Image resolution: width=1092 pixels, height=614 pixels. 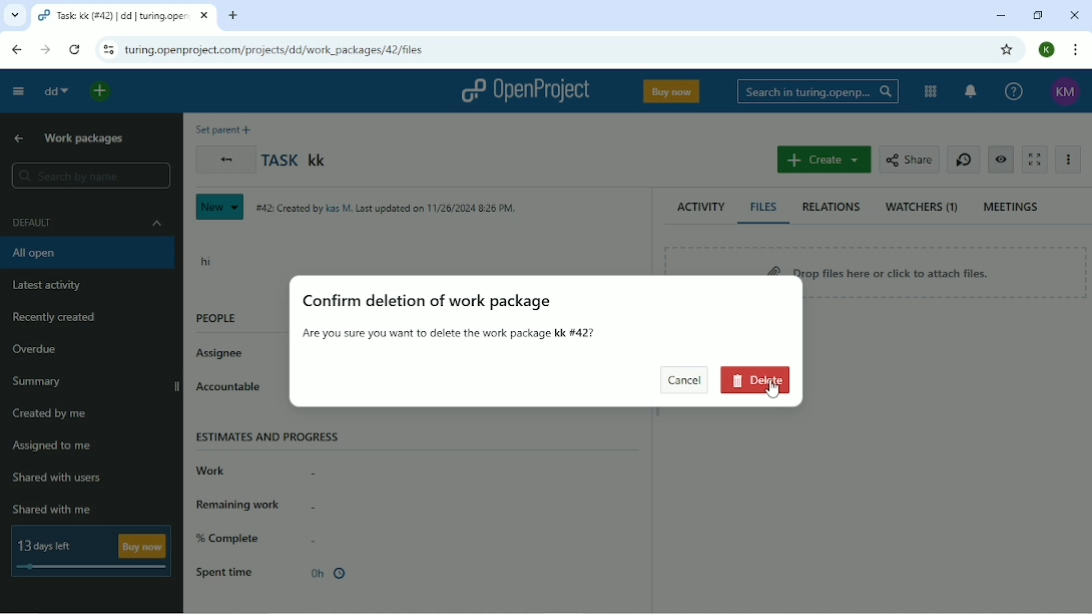 What do you see at coordinates (1034, 159) in the screenshot?
I see `Activate zen mode` at bounding box center [1034, 159].